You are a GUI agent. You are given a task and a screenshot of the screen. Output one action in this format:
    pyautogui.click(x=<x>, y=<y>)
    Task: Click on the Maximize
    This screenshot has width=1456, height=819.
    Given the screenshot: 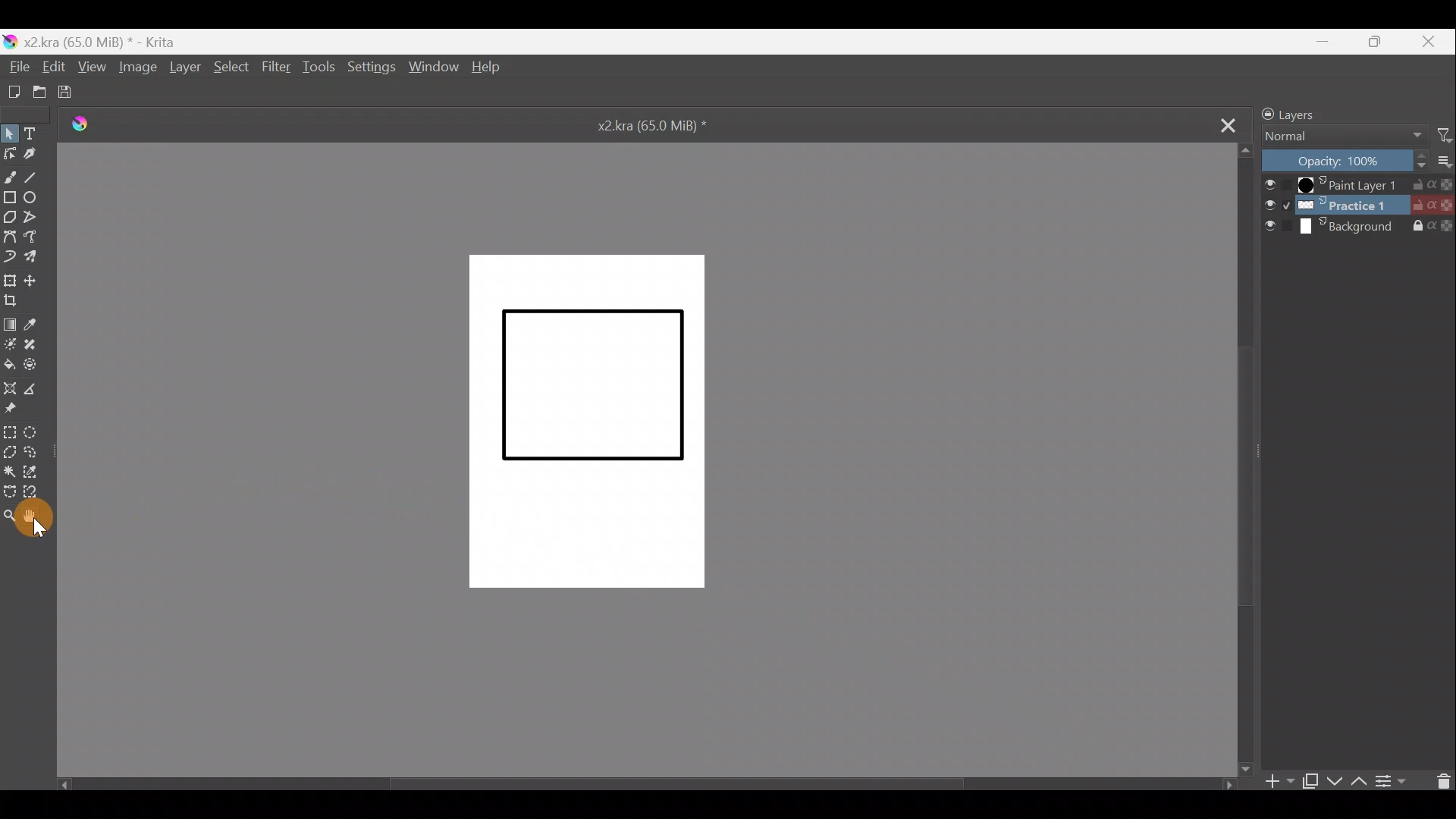 What is the action you would take?
    pyautogui.click(x=1376, y=42)
    